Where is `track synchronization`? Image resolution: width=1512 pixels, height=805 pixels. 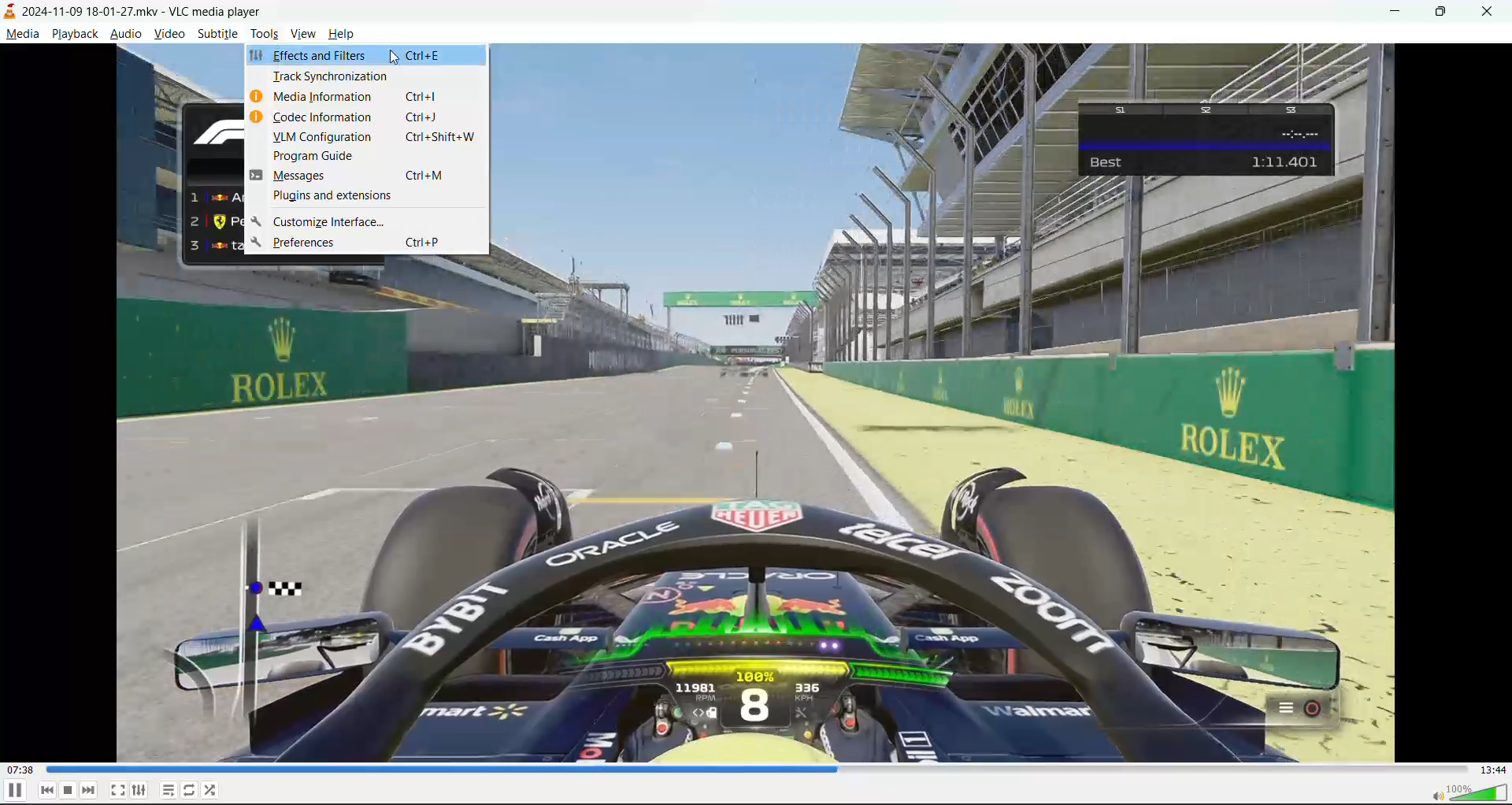
track synchronization is located at coordinates (375, 76).